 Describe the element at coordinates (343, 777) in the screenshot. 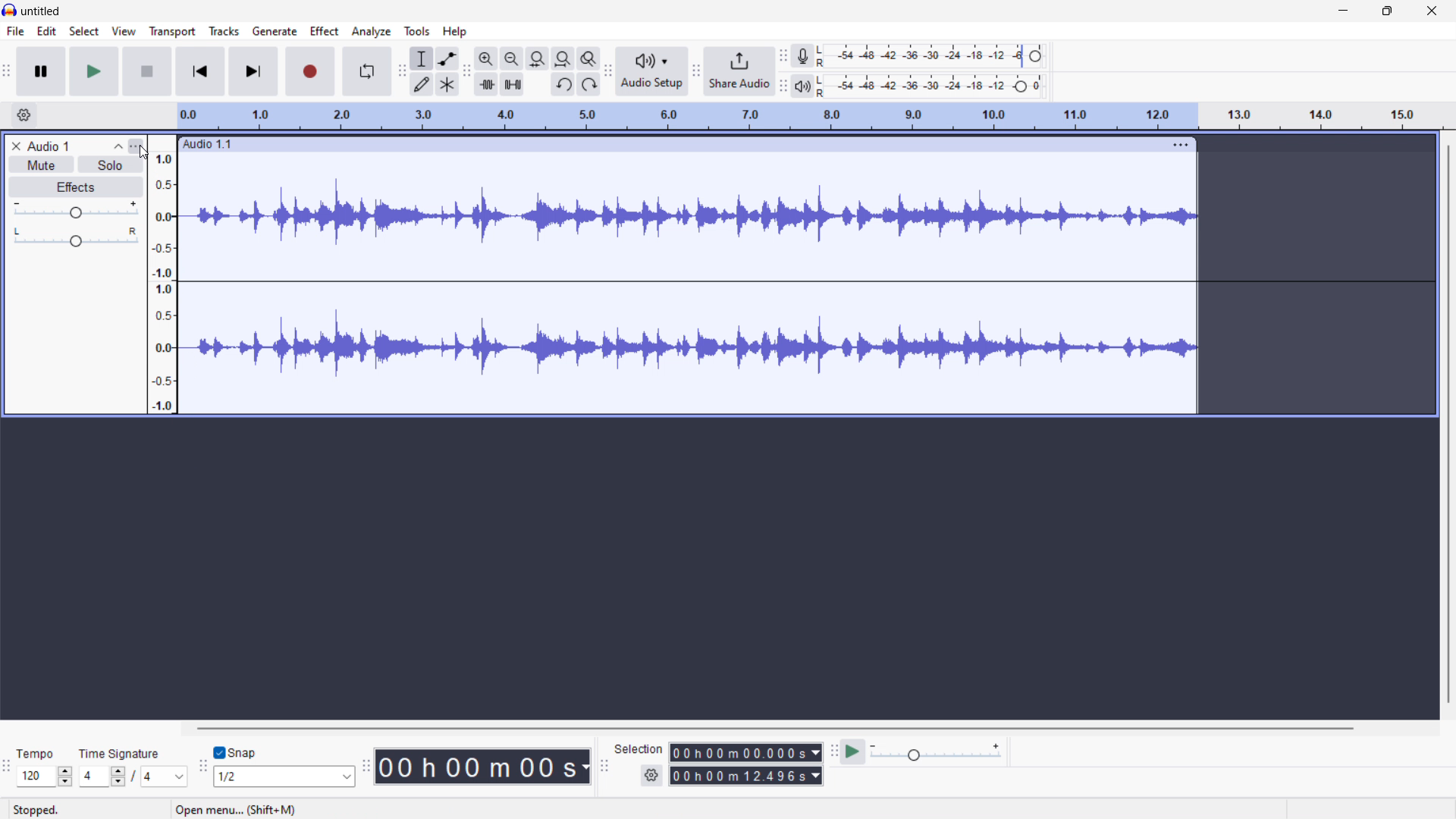

I see `Drop down` at that location.